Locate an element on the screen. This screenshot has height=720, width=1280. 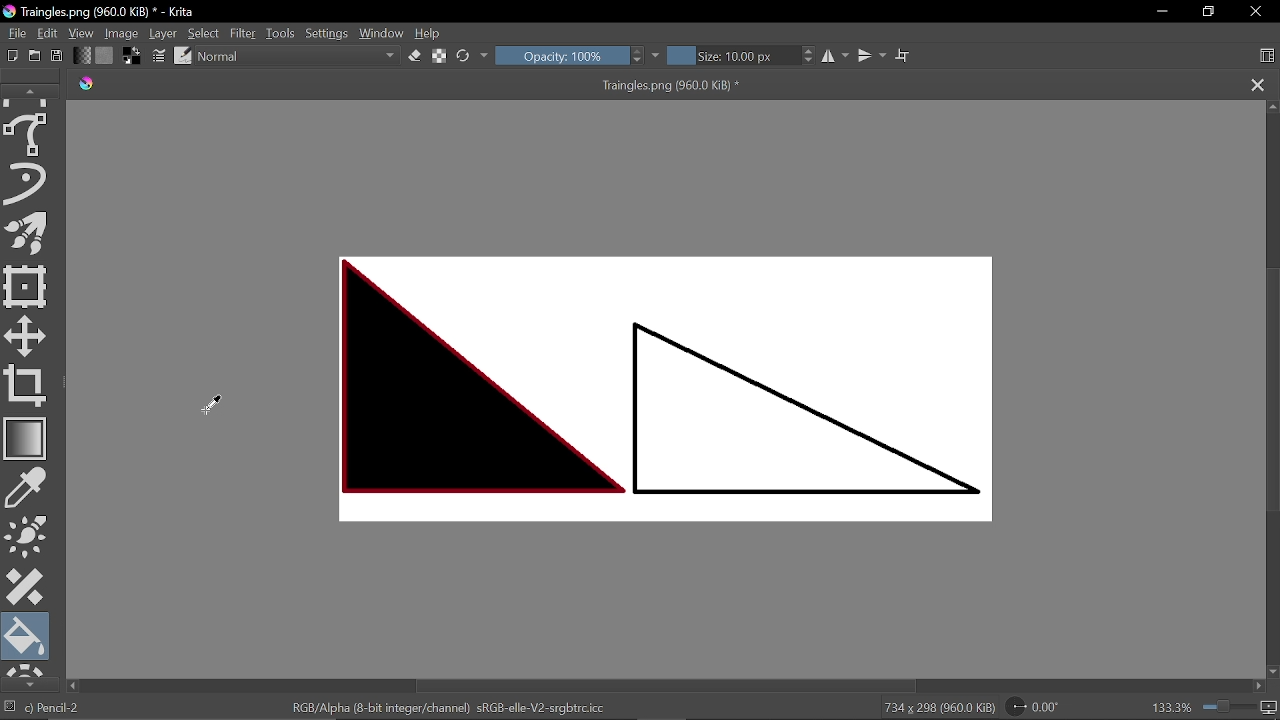
cursor is located at coordinates (208, 402).